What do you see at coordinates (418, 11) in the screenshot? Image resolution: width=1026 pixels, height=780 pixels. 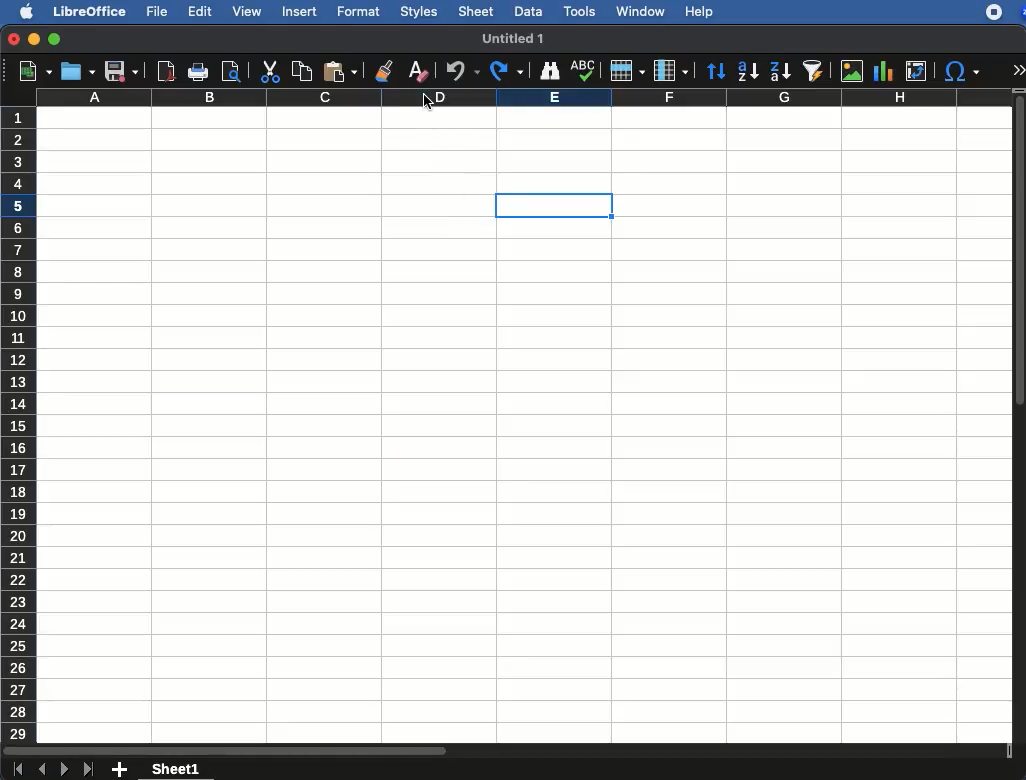 I see `styles` at bounding box center [418, 11].